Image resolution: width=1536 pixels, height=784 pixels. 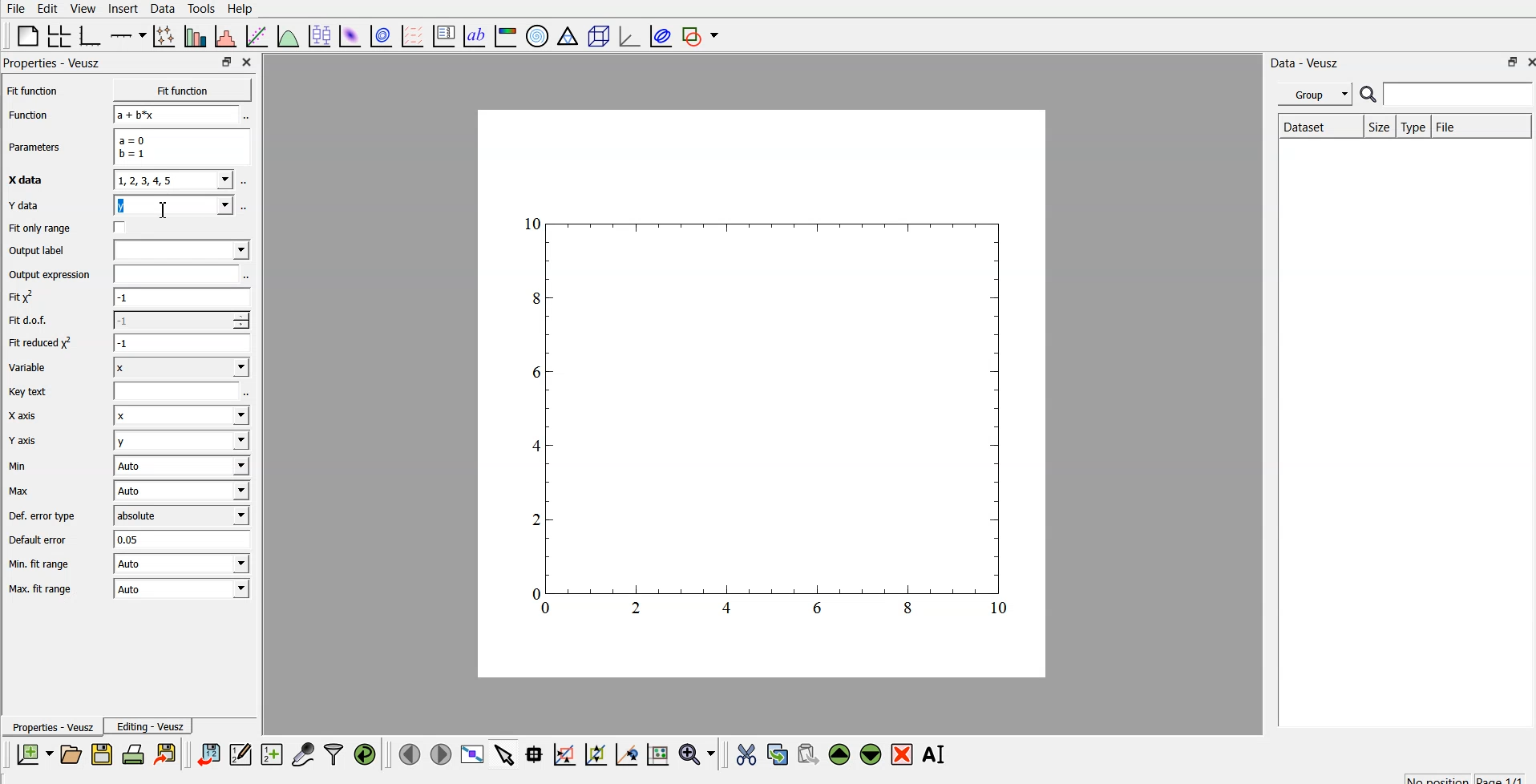 I want to click on 3d scene, so click(x=599, y=38).